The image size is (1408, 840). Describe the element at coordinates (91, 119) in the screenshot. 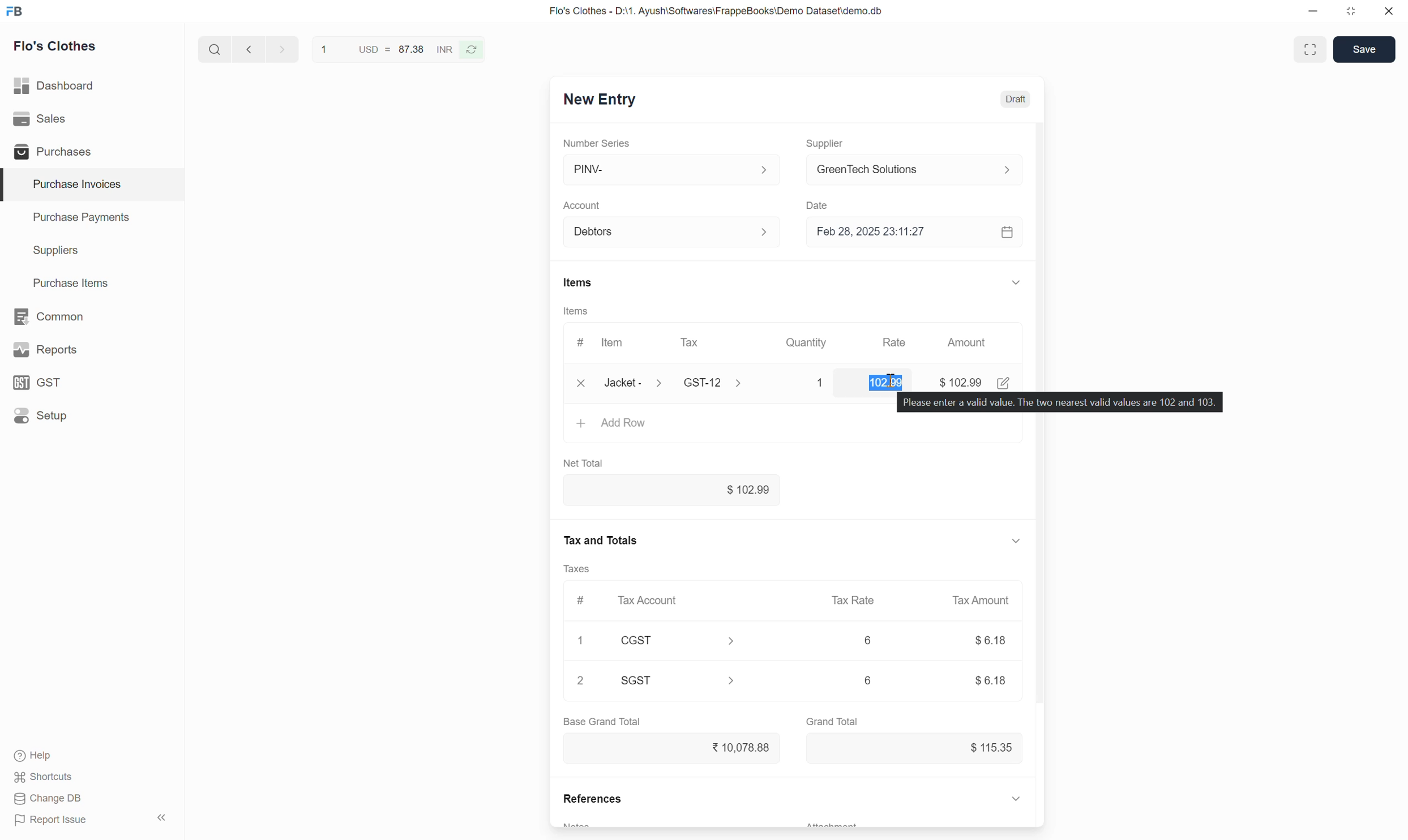

I see `Sales` at that location.